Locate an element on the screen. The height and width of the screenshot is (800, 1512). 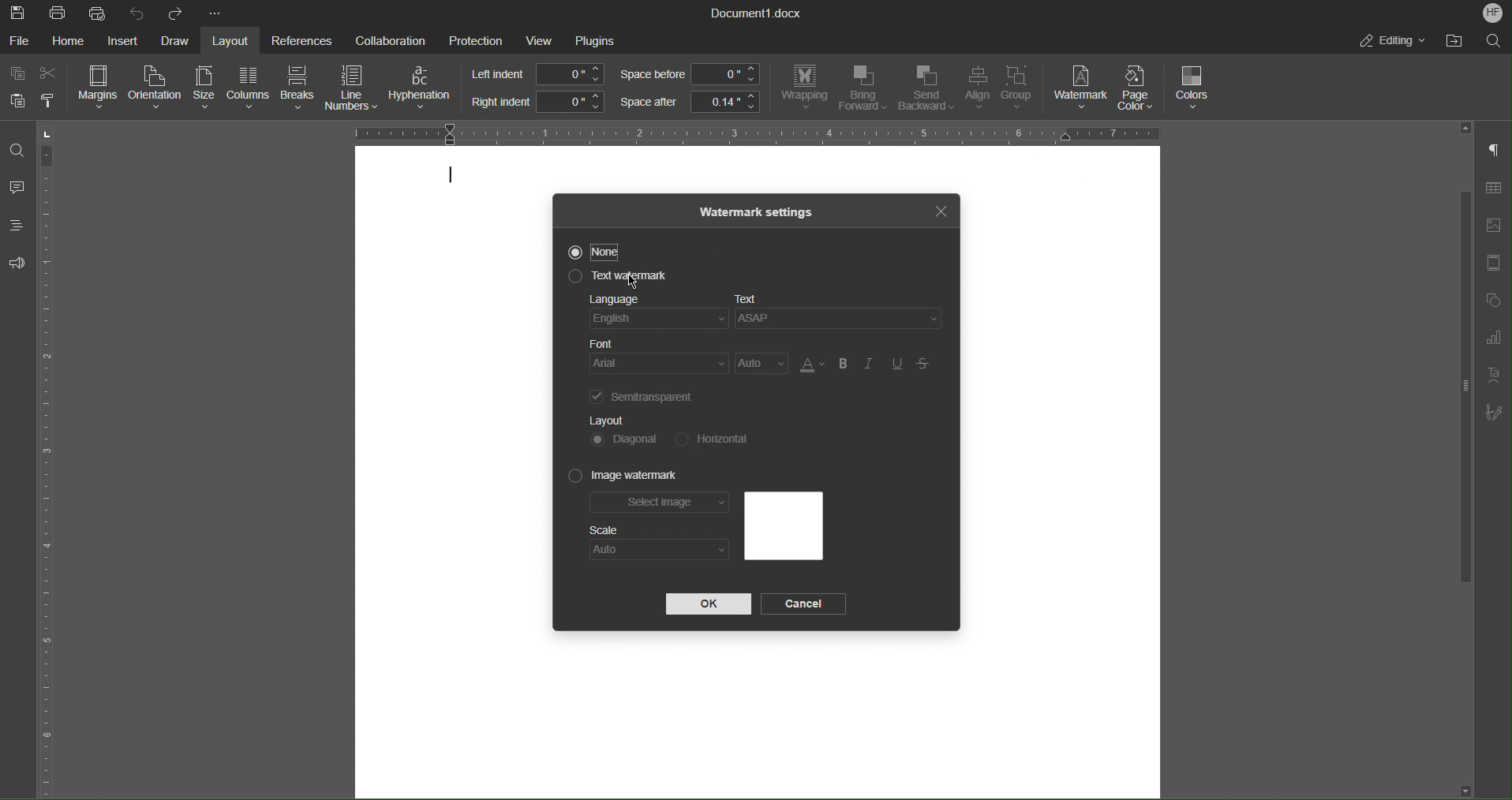
Copy Style is located at coordinates (50, 101).